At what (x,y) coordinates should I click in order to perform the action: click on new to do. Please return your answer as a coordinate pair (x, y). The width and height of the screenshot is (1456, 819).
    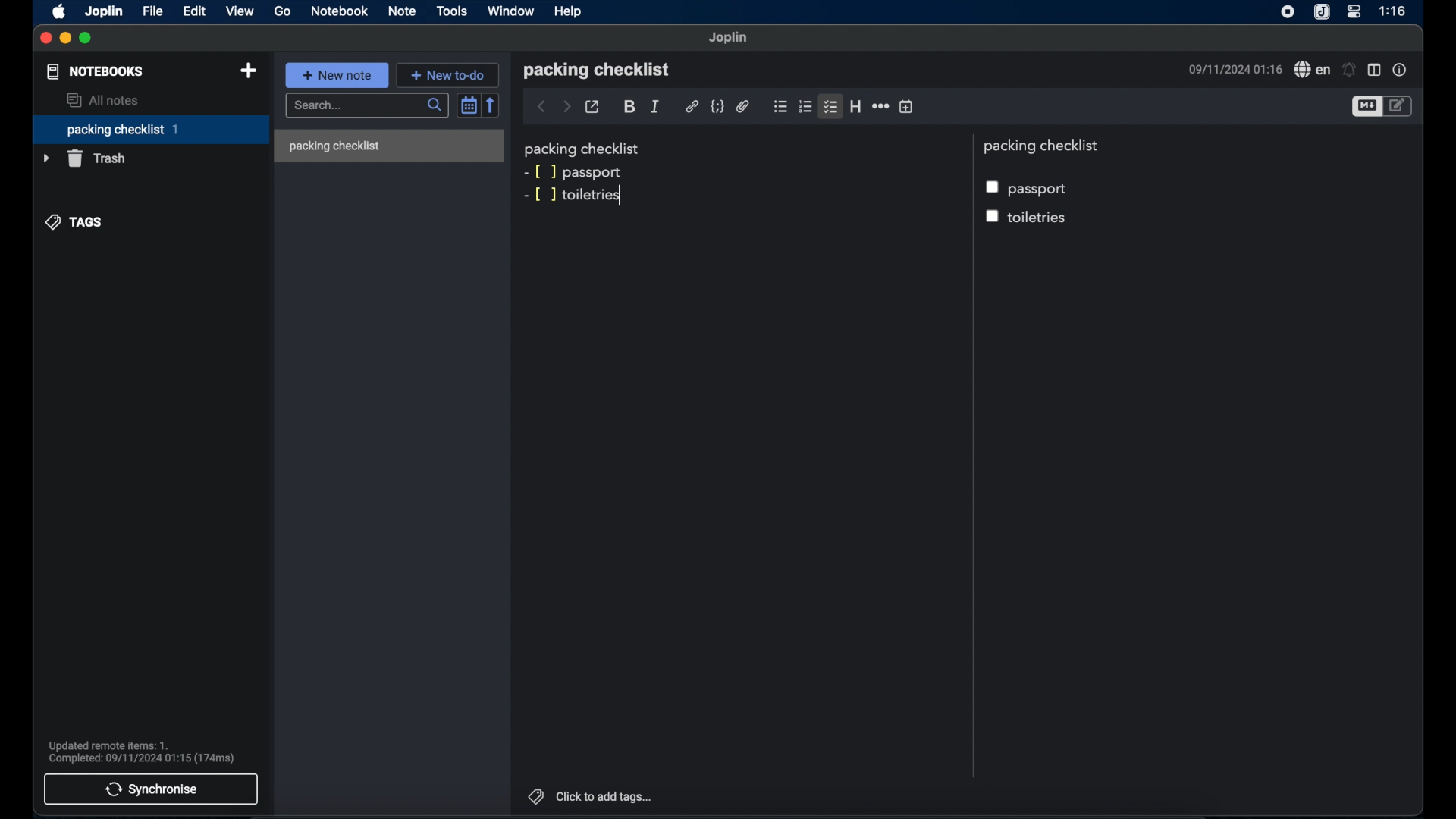
    Looking at the image, I should click on (448, 74).